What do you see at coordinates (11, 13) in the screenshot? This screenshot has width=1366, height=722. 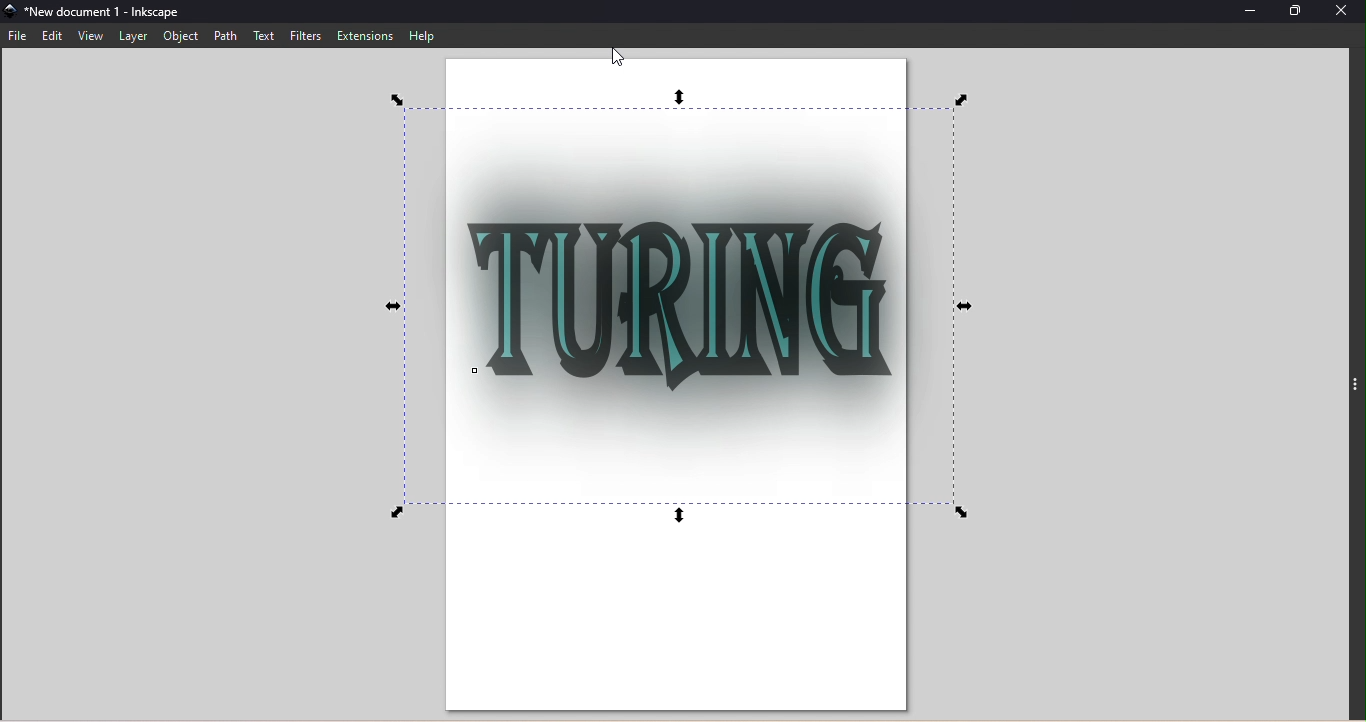 I see `app icon` at bounding box center [11, 13].